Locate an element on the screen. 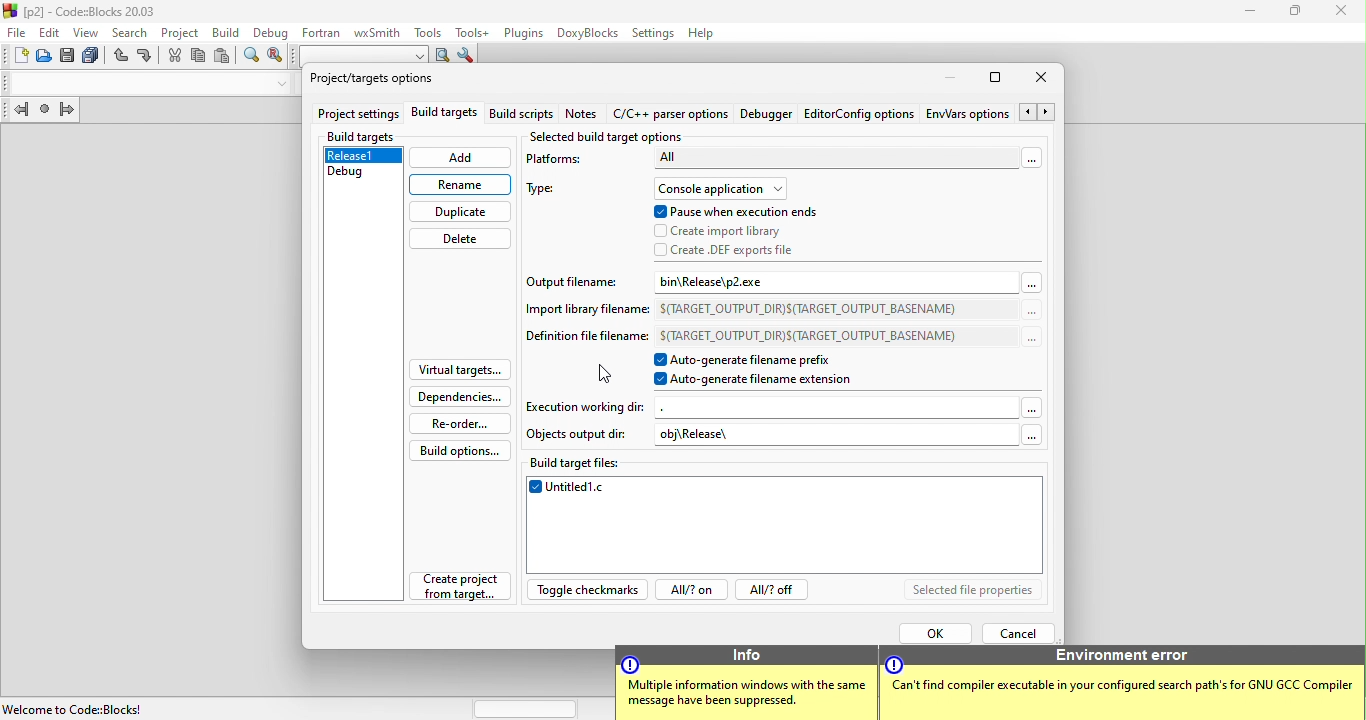 This screenshot has width=1366, height=720. objects output dir is located at coordinates (578, 434).